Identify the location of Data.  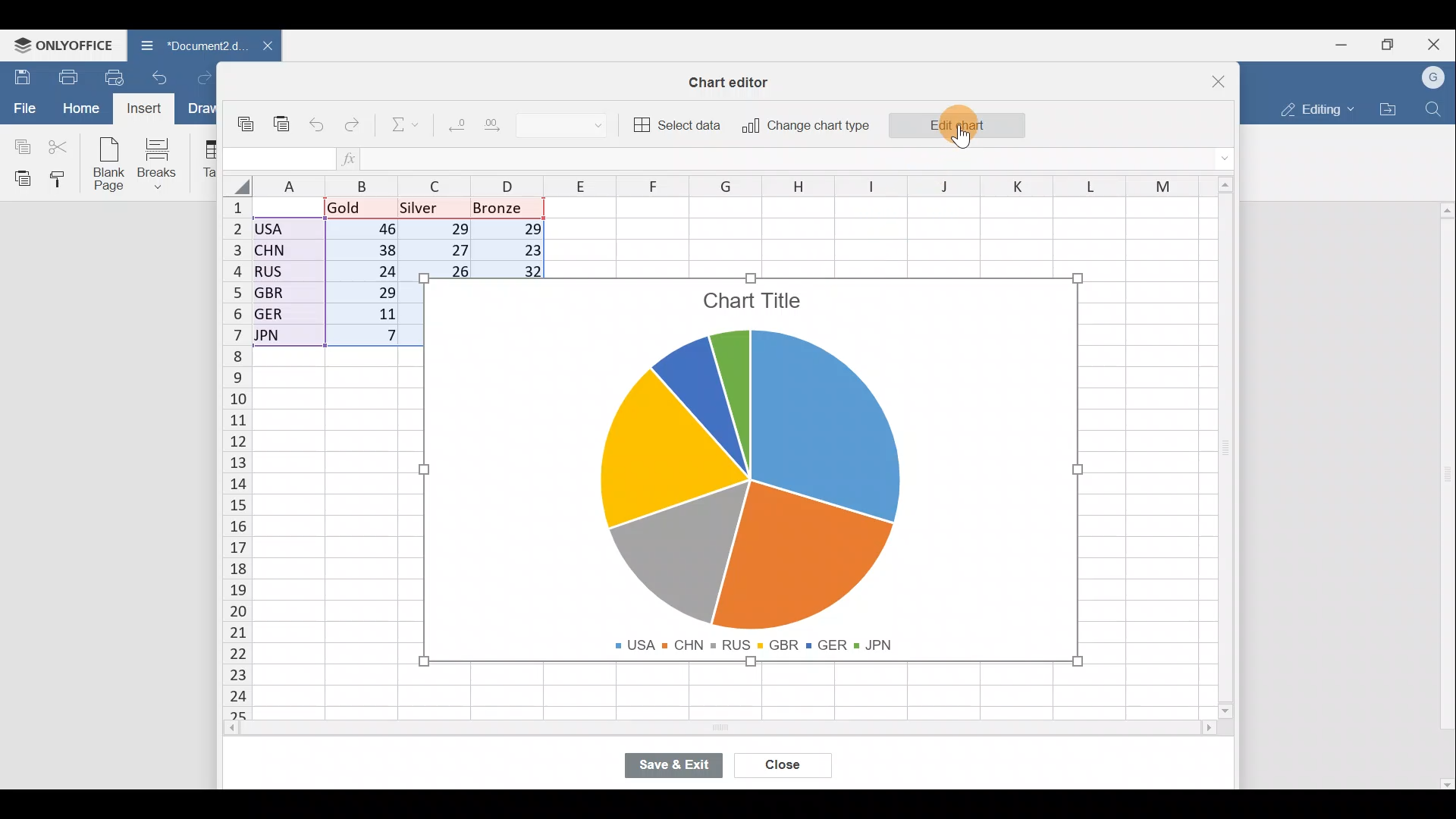
(315, 272).